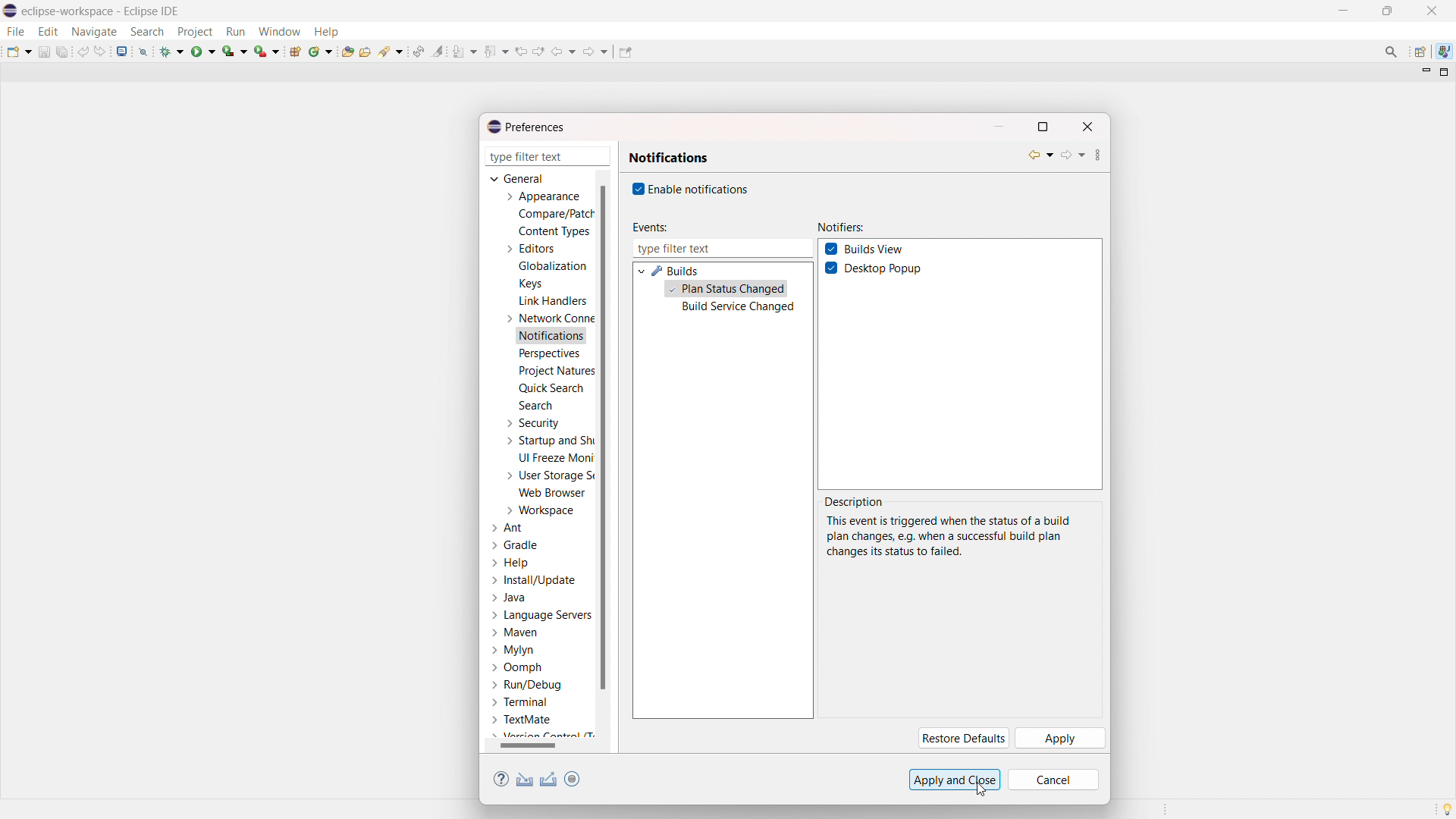  Describe the element at coordinates (641, 270) in the screenshot. I see `expand builds` at that location.